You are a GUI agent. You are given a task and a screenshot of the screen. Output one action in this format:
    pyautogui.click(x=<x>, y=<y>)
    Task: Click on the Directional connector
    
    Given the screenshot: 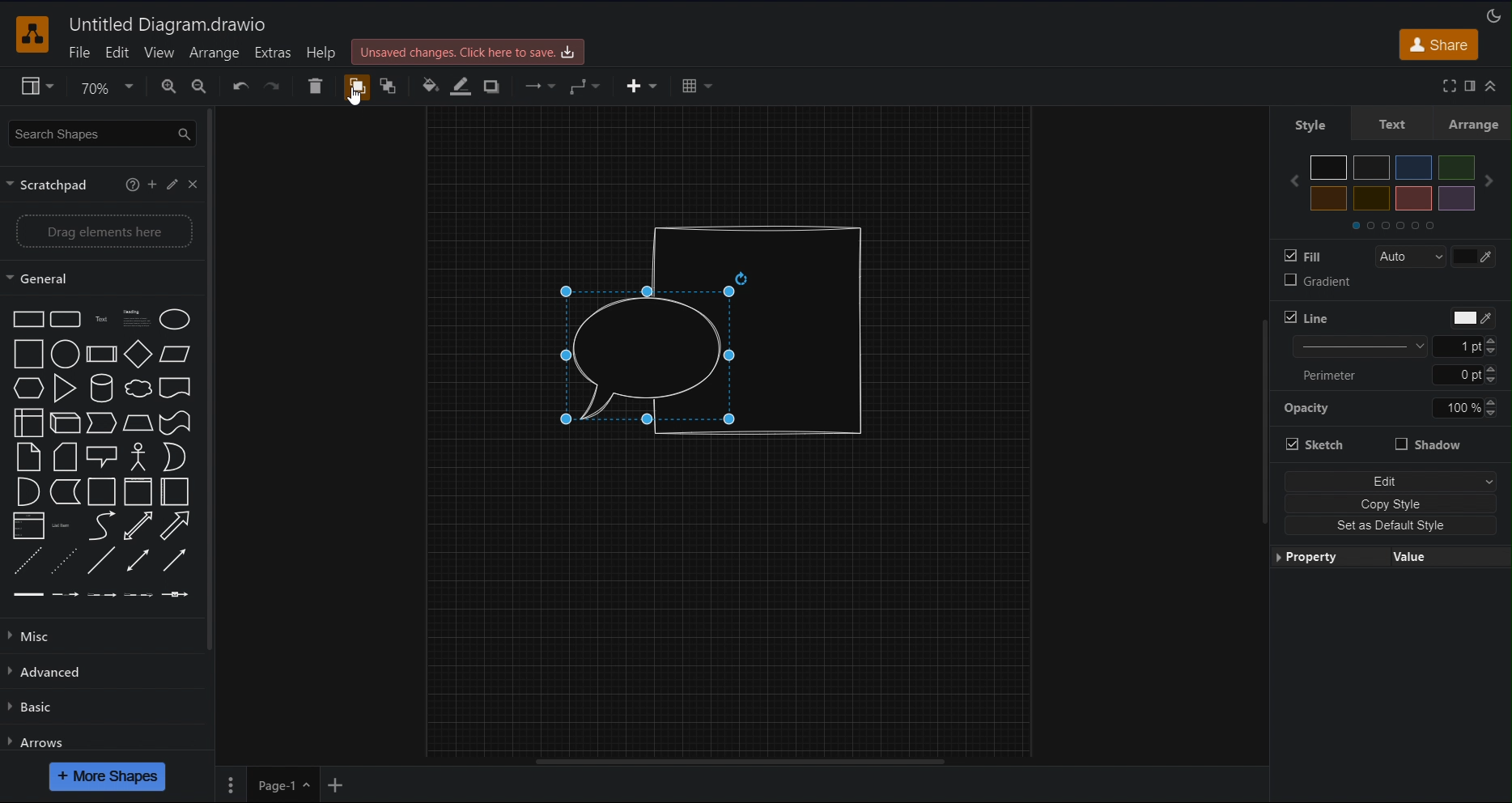 What is the action you would take?
    pyautogui.click(x=174, y=560)
    